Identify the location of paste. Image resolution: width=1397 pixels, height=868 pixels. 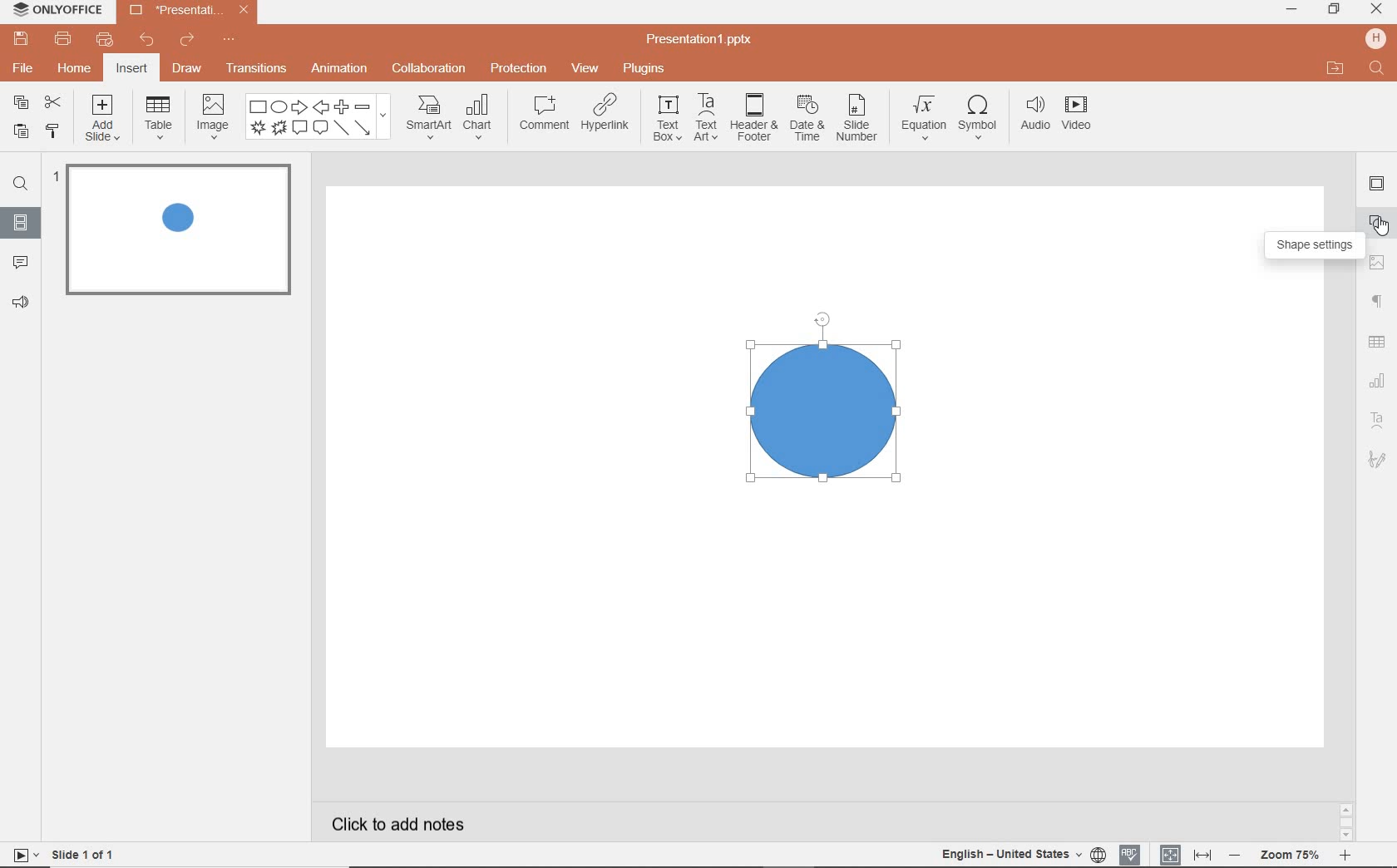
(20, 133).